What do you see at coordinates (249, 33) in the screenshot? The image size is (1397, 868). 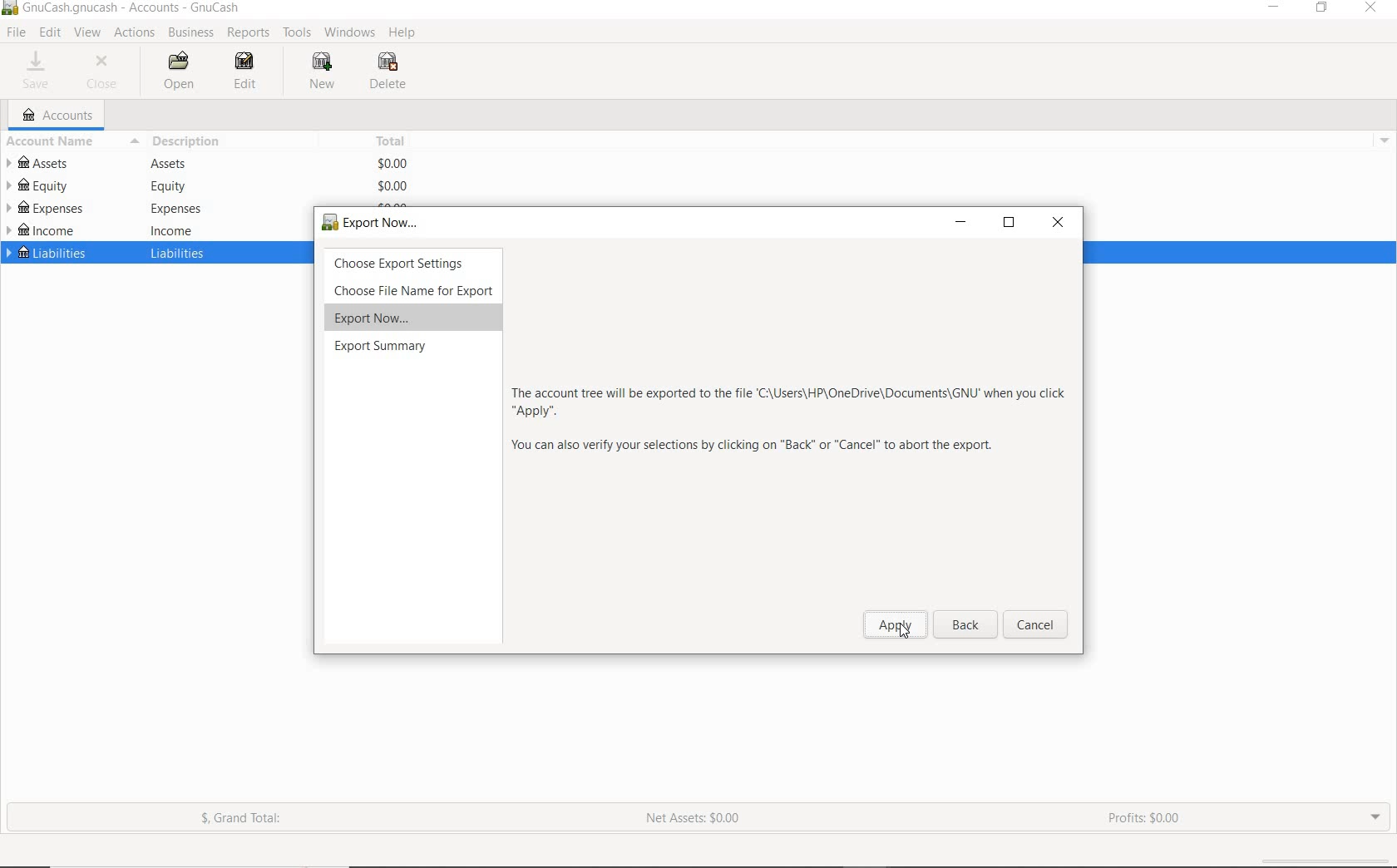 I see `REPORTS` at bounding box center [249, 33].